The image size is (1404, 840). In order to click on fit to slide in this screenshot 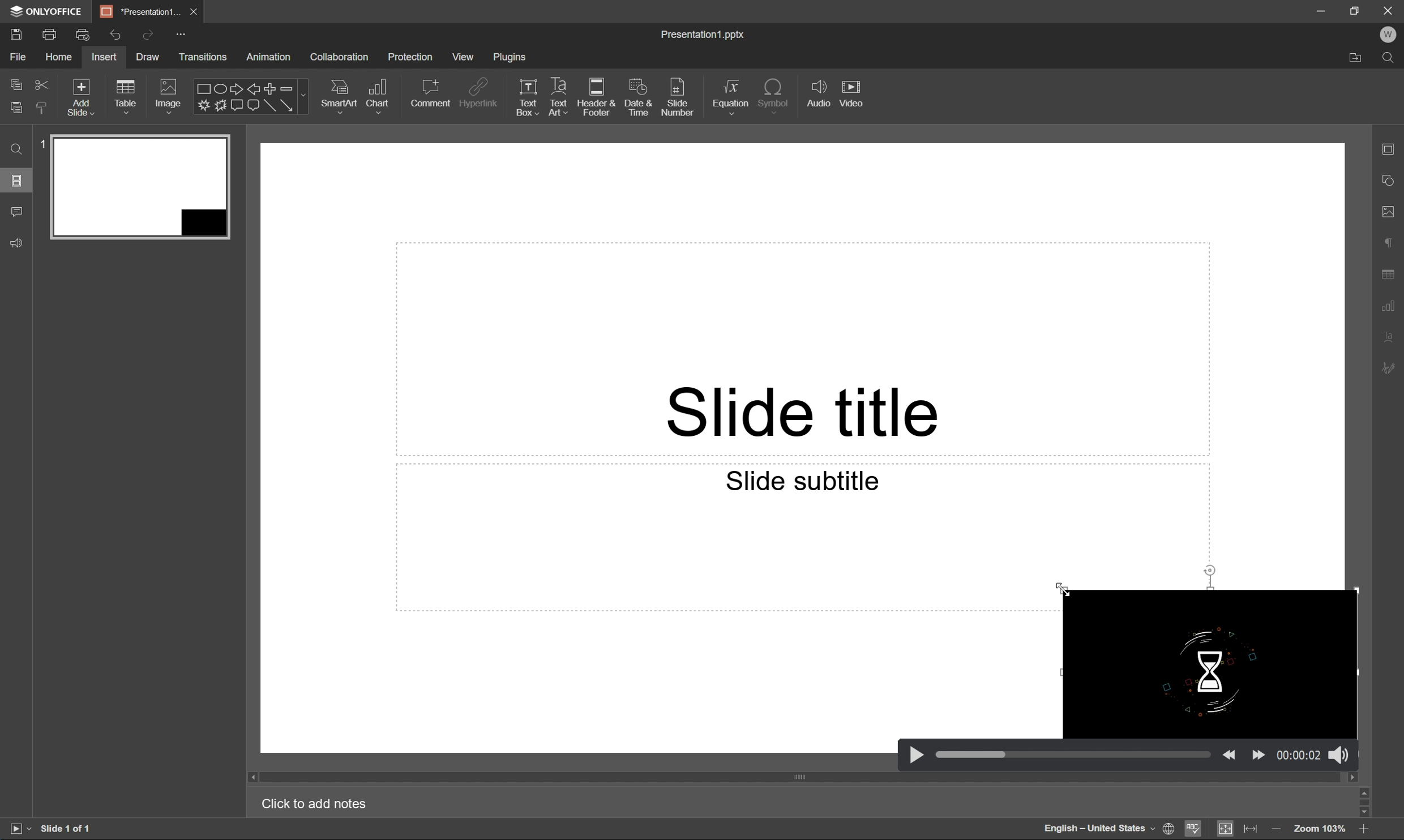, I will do `click(1224, 829)`.